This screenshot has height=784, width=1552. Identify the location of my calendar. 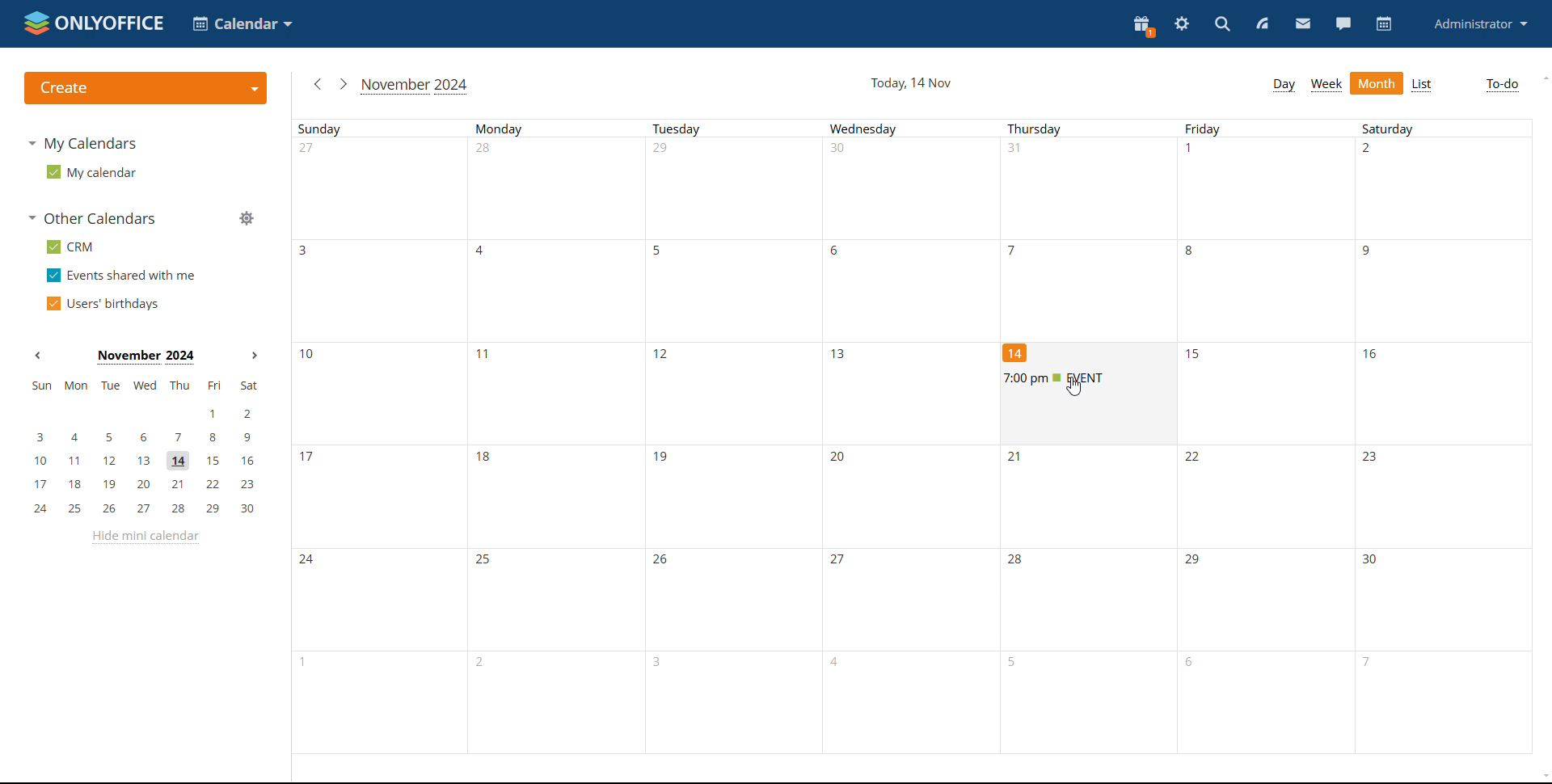
(90, 172).